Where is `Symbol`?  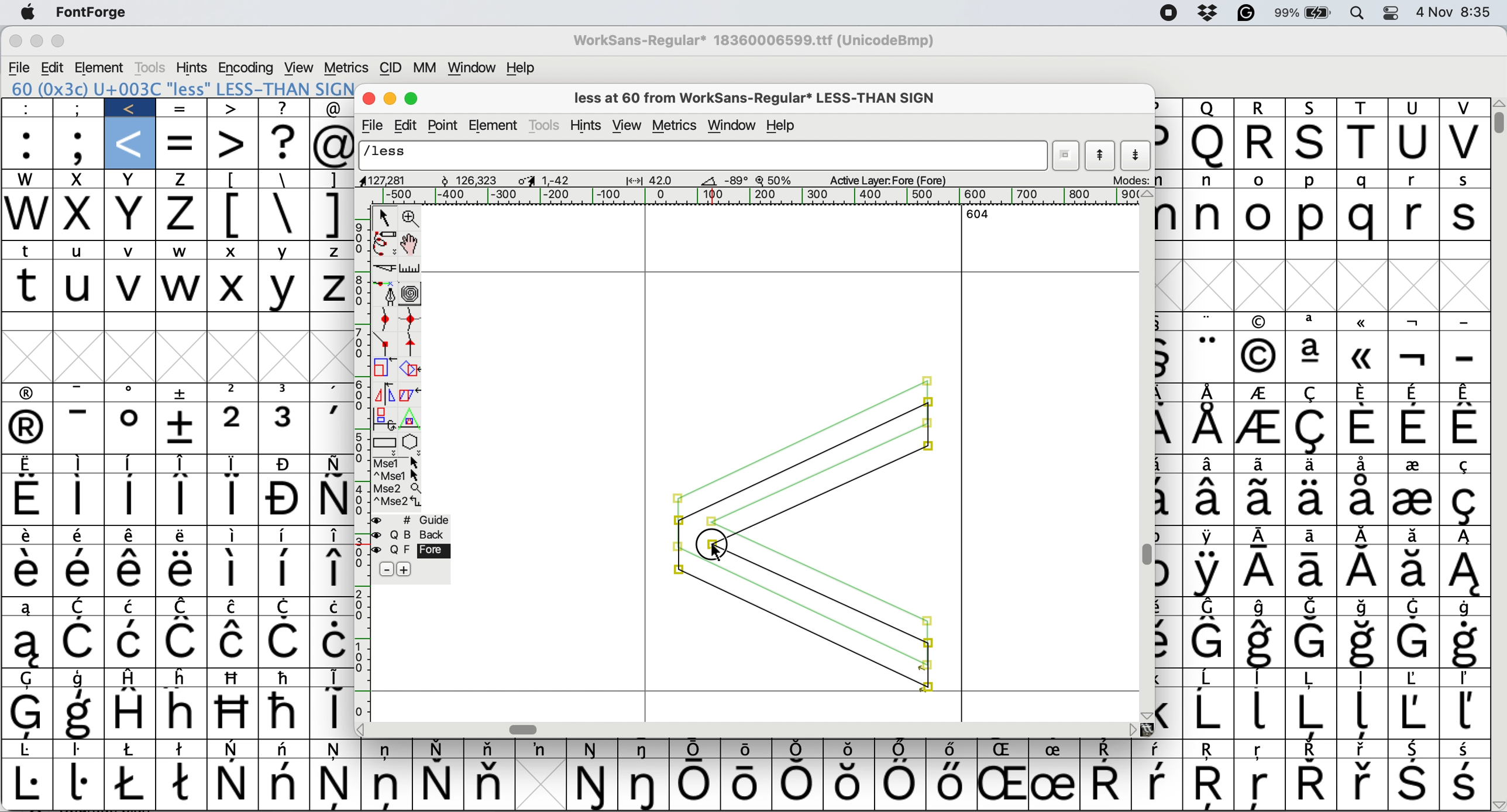 Symbol is located at coordinates (747, 785).